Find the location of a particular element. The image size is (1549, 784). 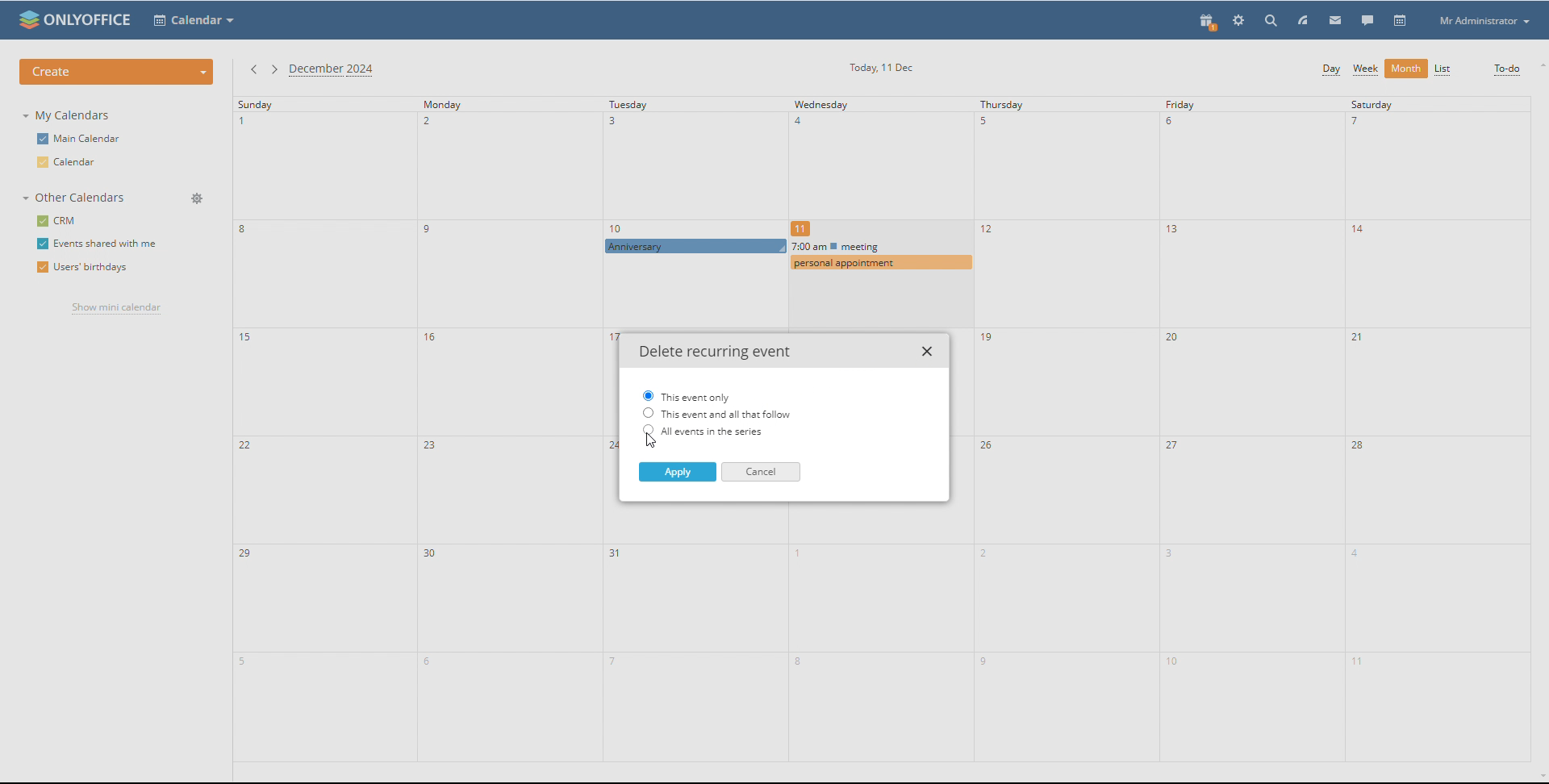

friday is located at coordinates (1252, 428).